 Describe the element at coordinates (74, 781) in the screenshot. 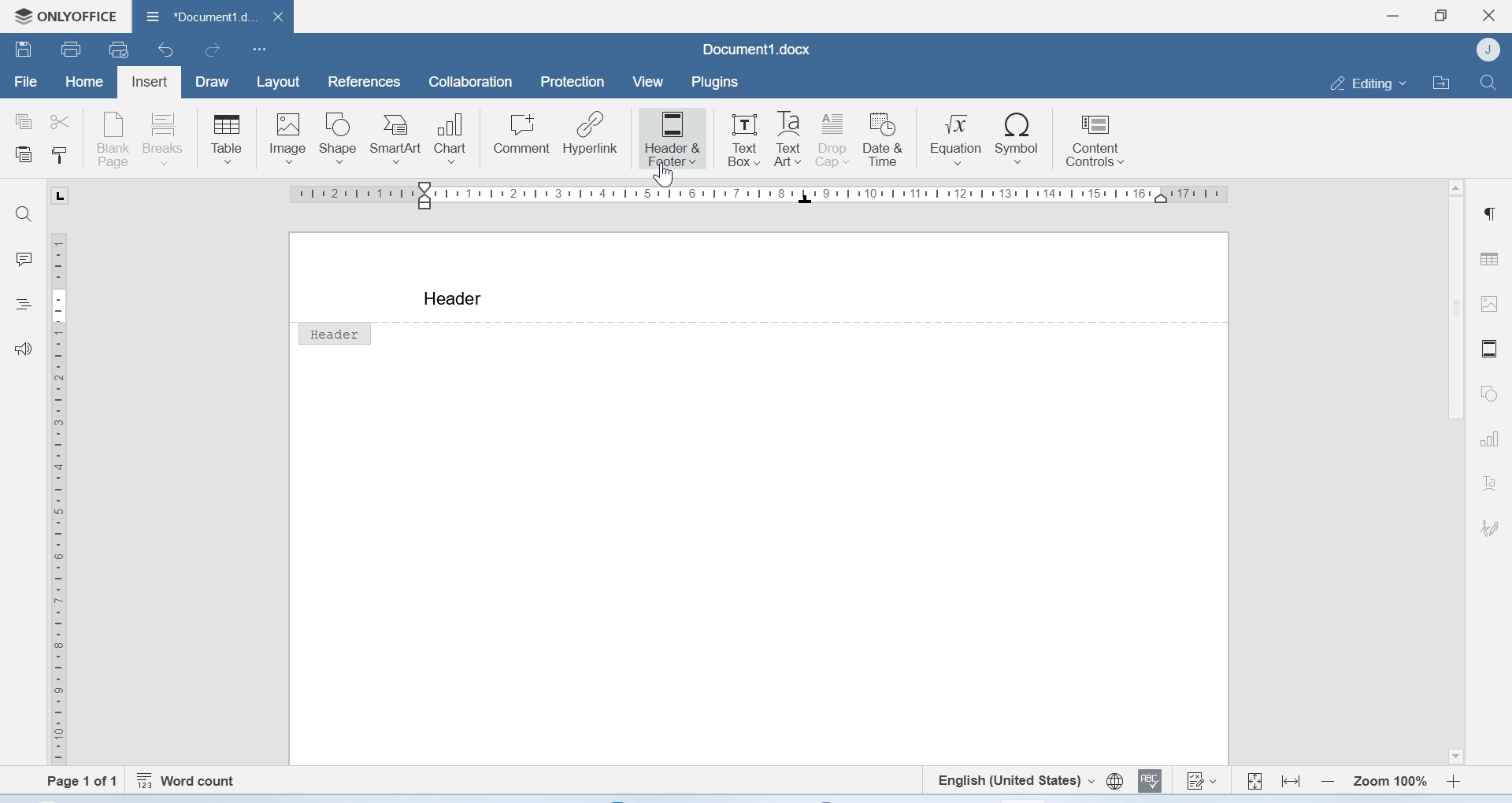

I see `Page 1 of 1` at that location.